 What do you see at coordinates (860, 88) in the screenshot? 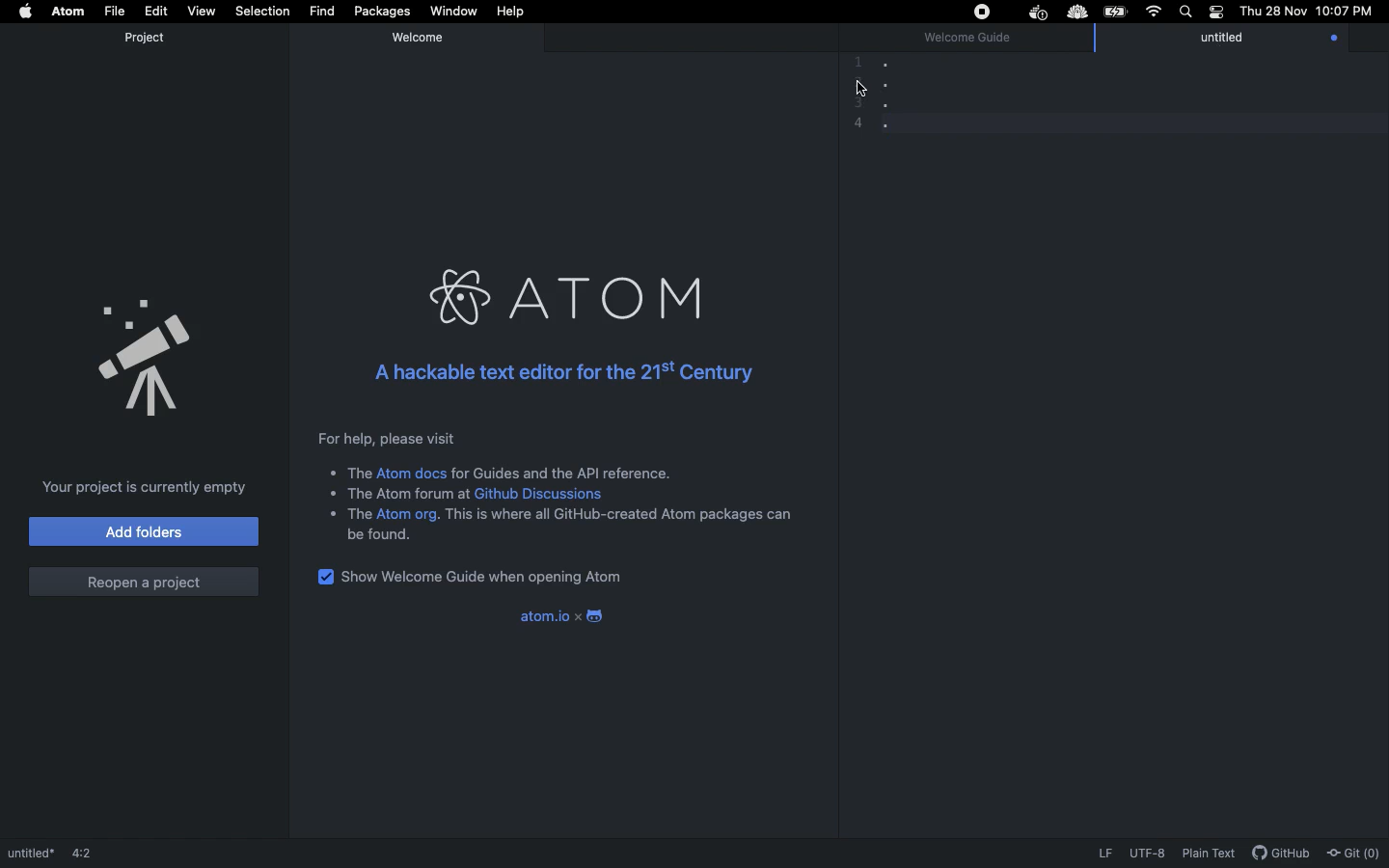
I see `` at bounding box center [860, 88].